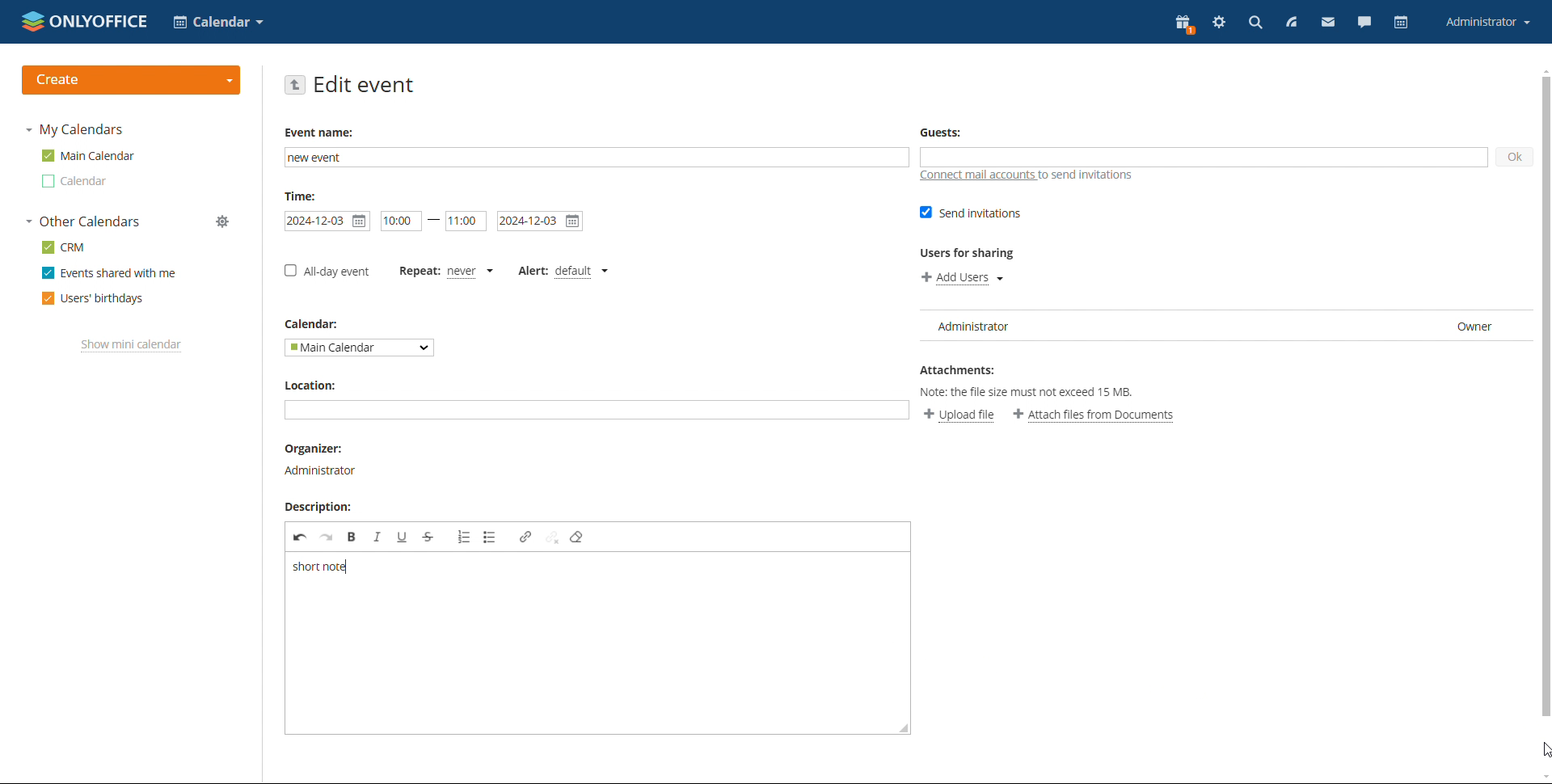  I want to click on scroll bar, so click(1542, 398).